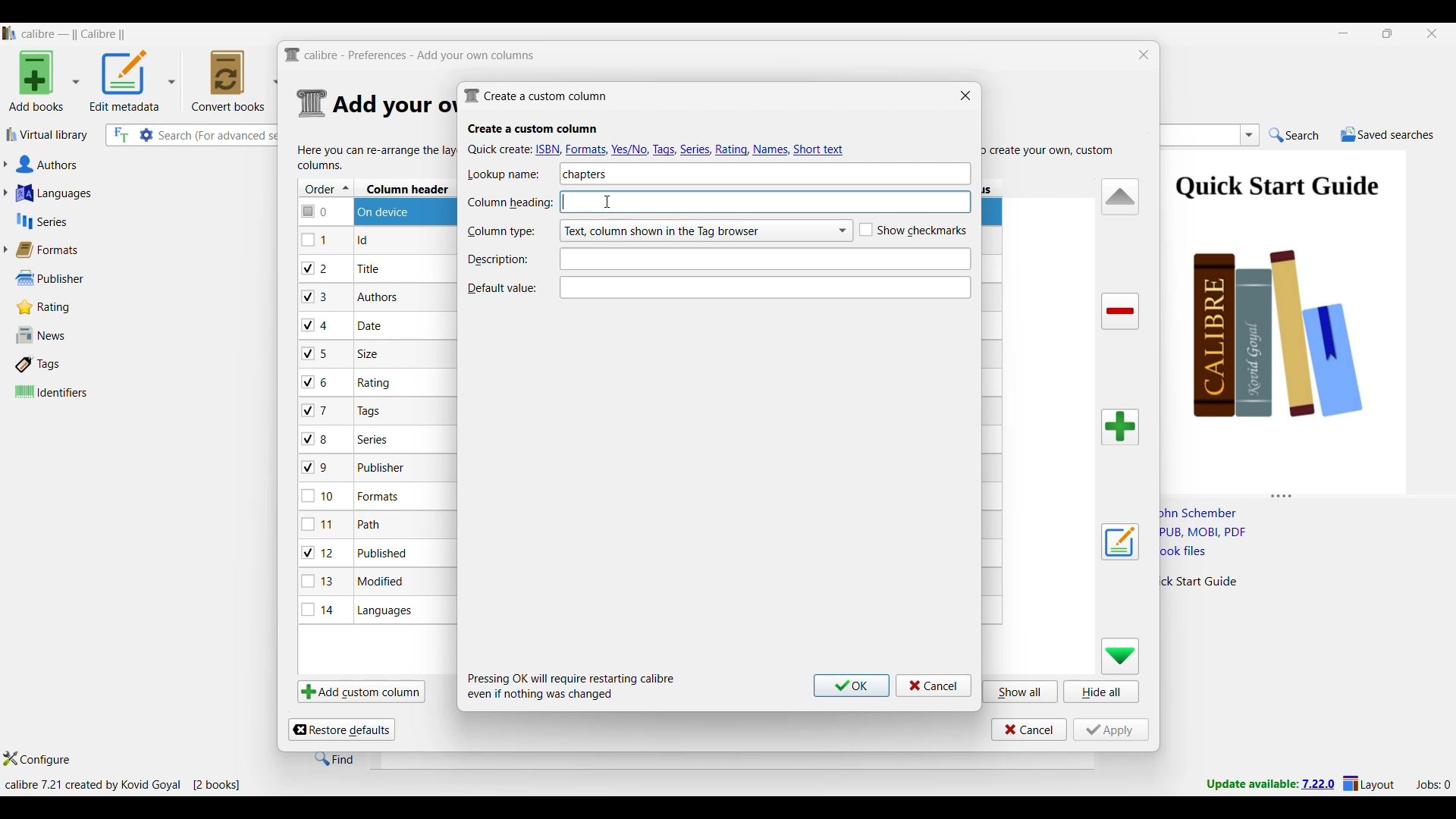 This screenshot has height=819, width=1456. What do you see at coordinates (220, 136) in the screenshot?
I see `Input search here` at bounding box center [220, 136].